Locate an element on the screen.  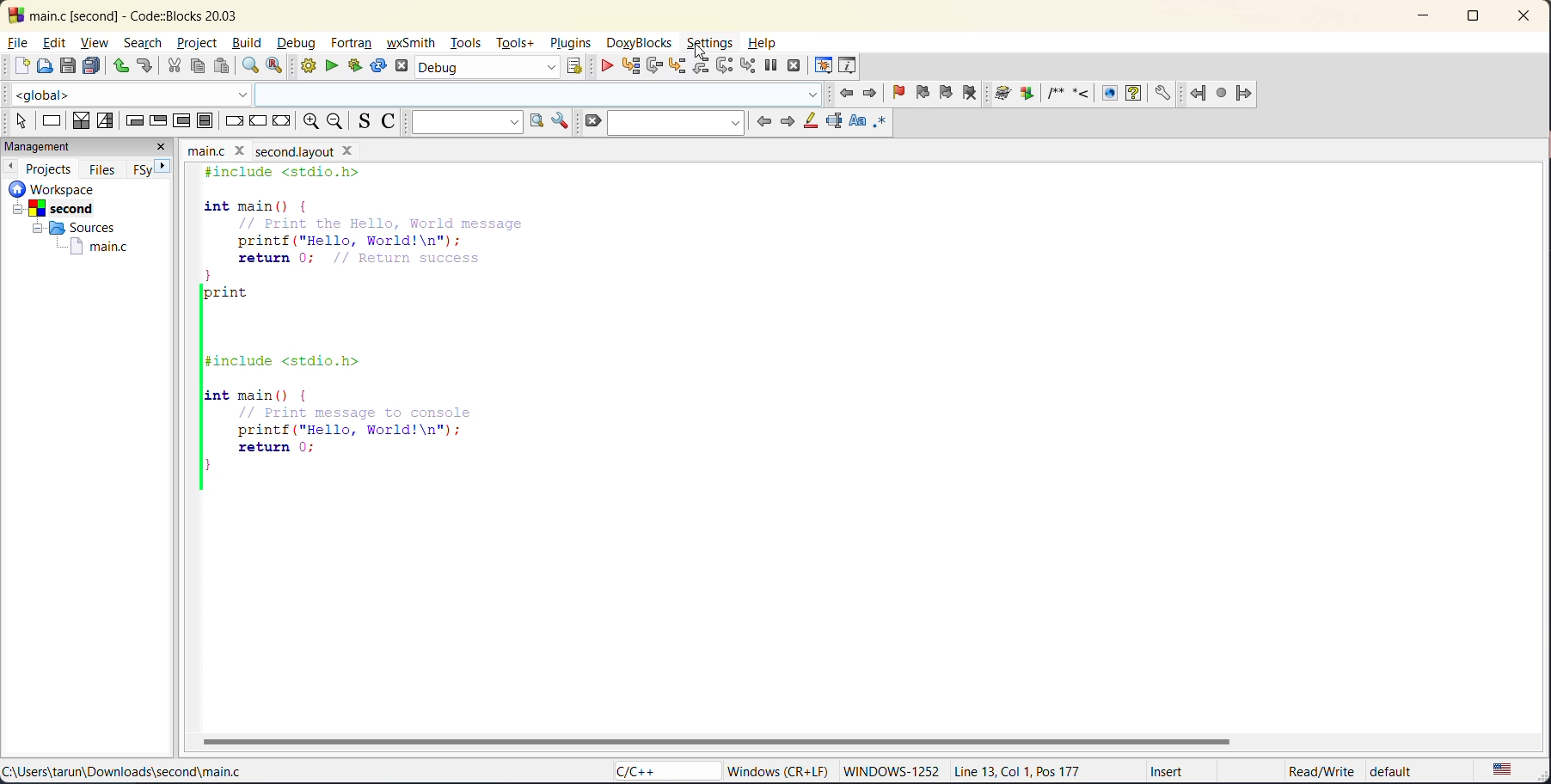
run search is located at coordinates (533, 121).